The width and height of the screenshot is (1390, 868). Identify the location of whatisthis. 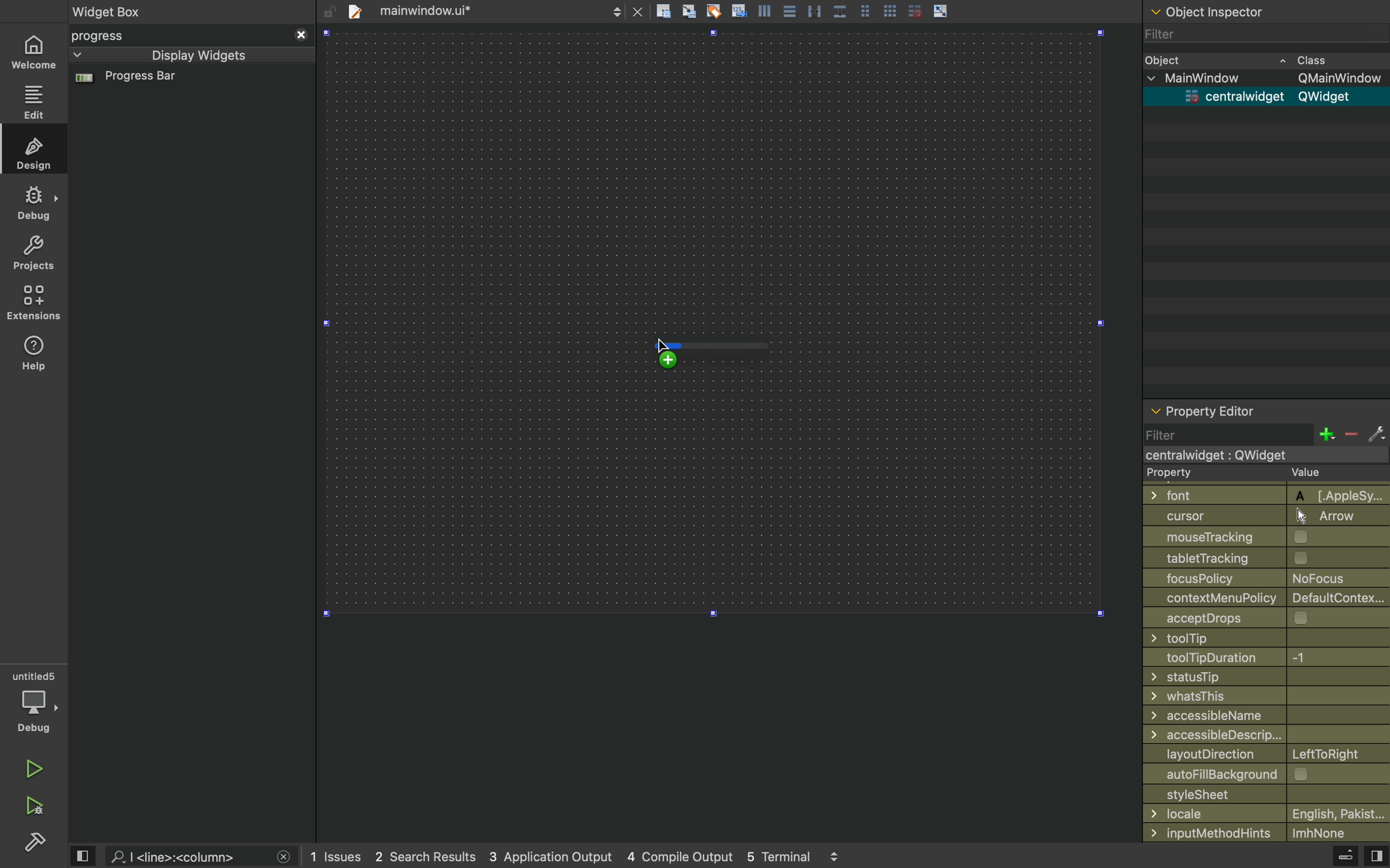
(1257, 697).